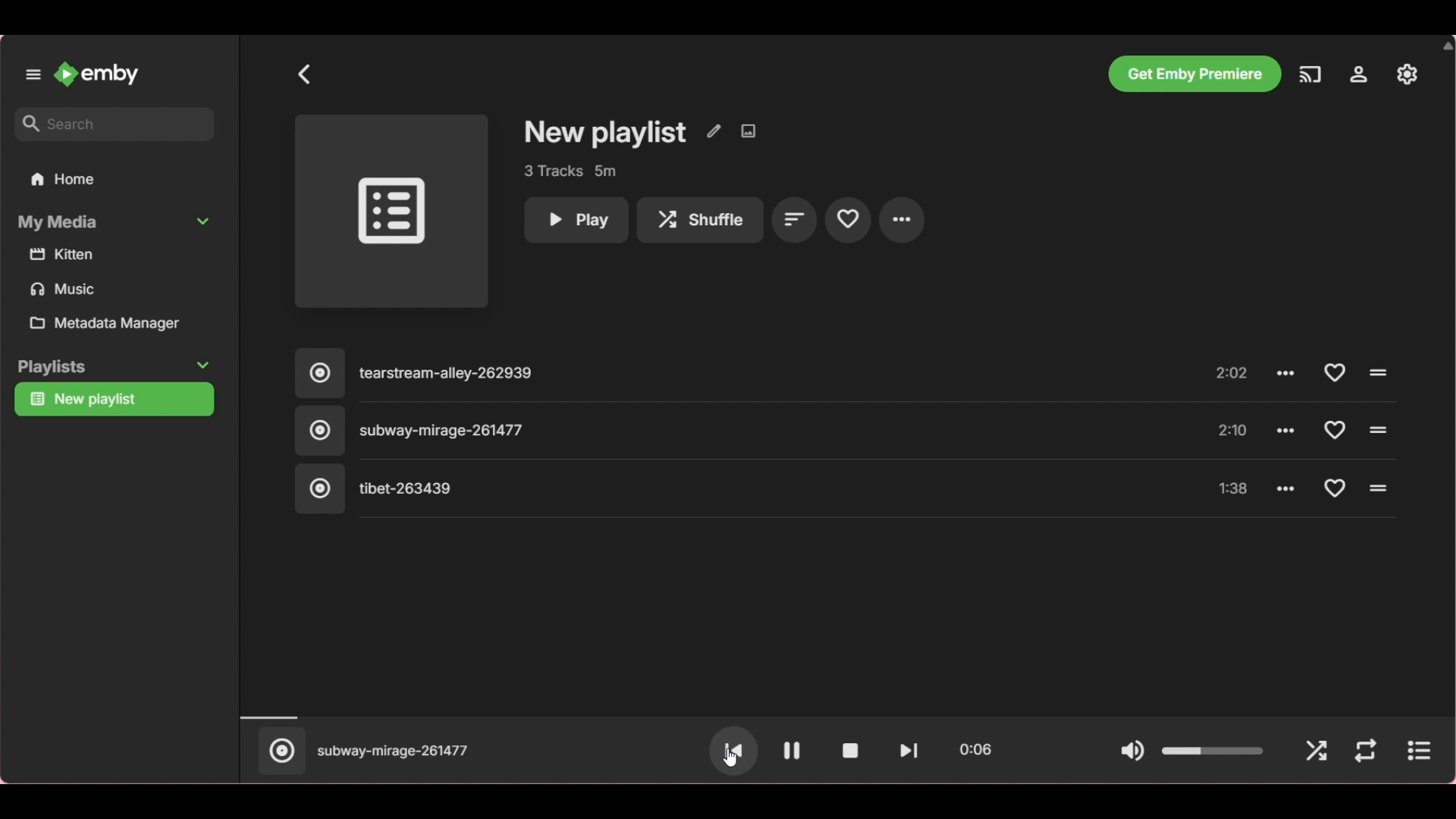 The width and height of the screenshot is (1456, 819). What do you see at coordinates (978, 747) in the screenshot?
I see `Current timestamp of selected song` at bounding box center [978, 747].